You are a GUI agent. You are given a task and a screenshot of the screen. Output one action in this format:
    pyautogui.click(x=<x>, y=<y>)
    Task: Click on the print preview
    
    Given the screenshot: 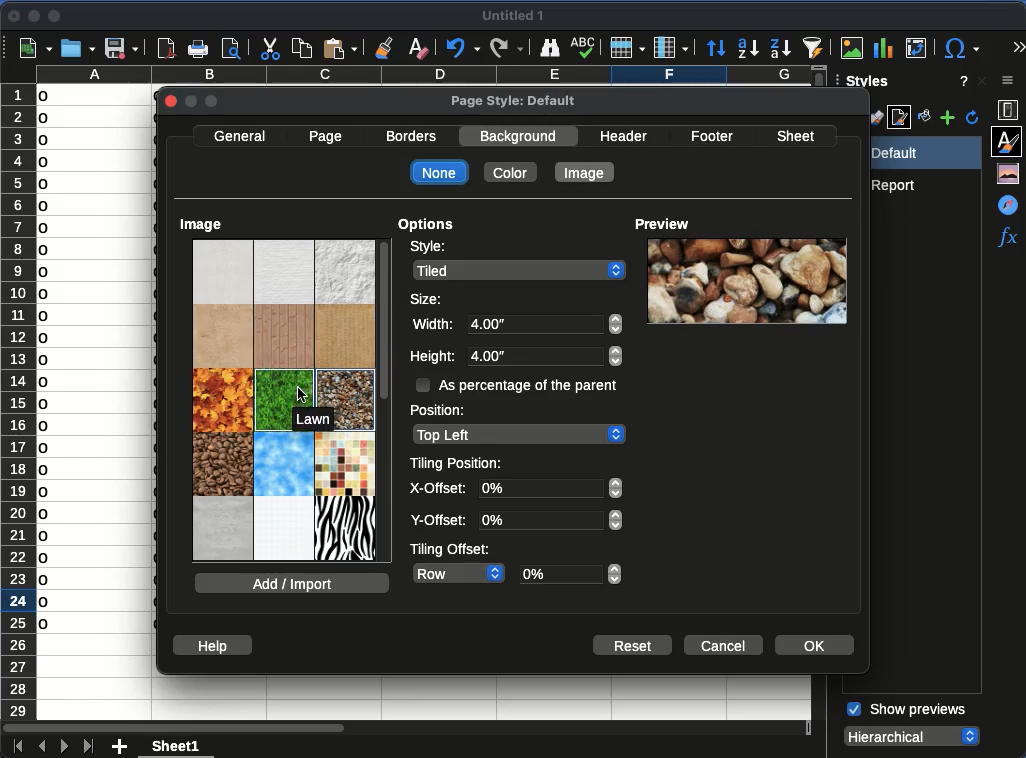 What is the action you would take?
    pyautogui.click(x=233, y=47)
    